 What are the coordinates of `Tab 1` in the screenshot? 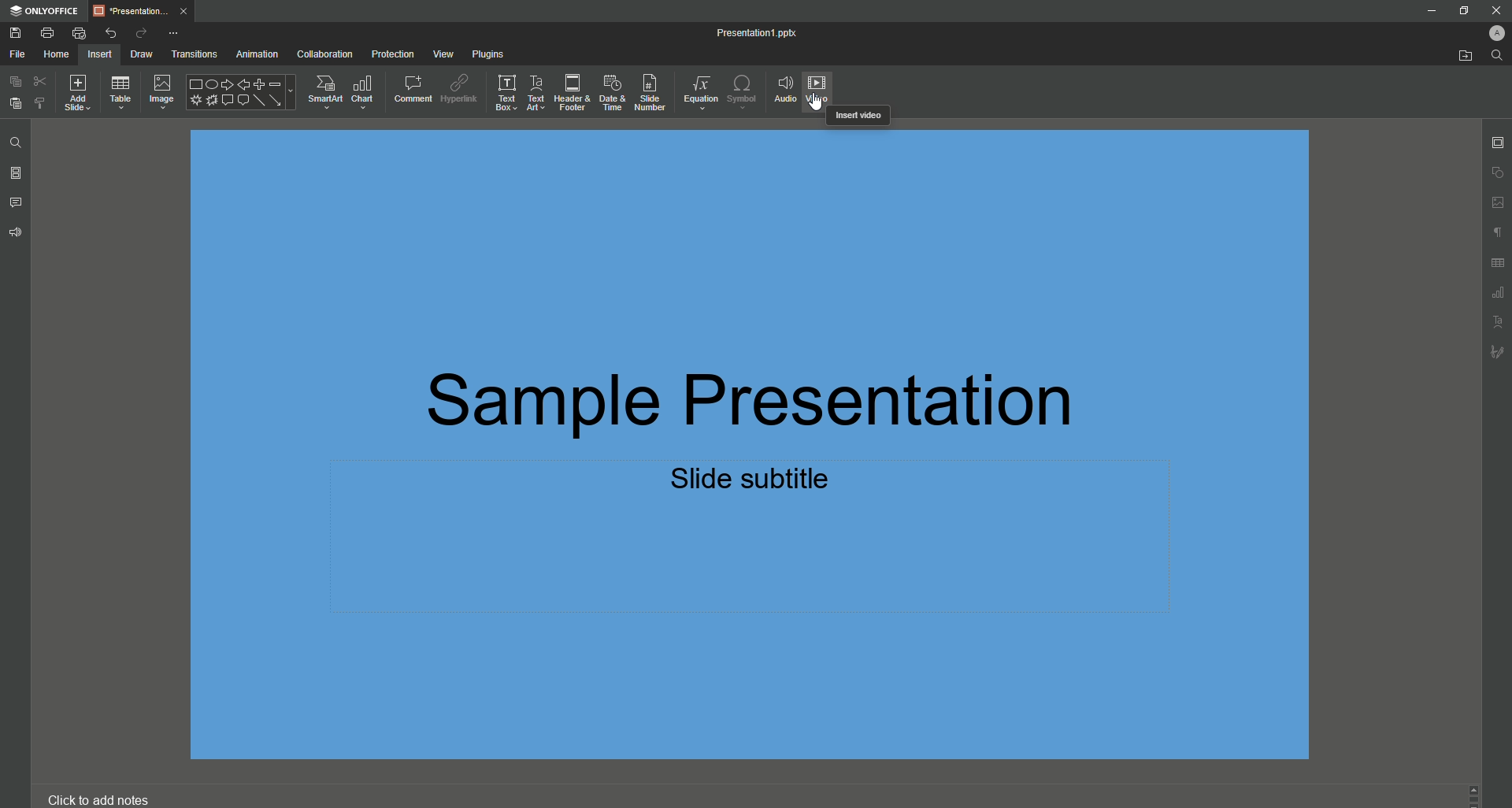 It's located at (142, 10).